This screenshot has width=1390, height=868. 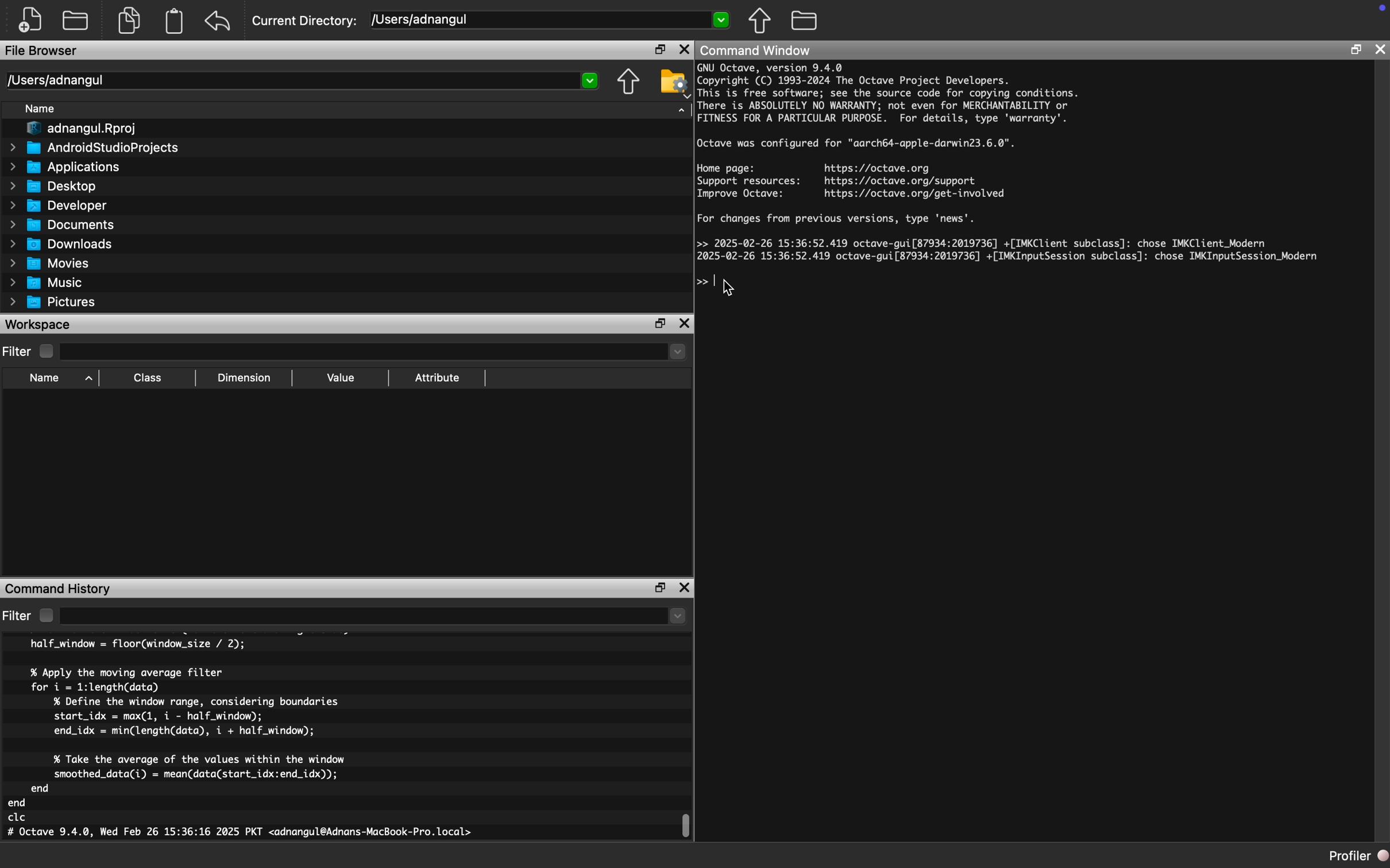 What do you see at coordinates (94, 148) in the screenshot?
I see `AndroidStudioProjects` at bounding box center [94, 148].